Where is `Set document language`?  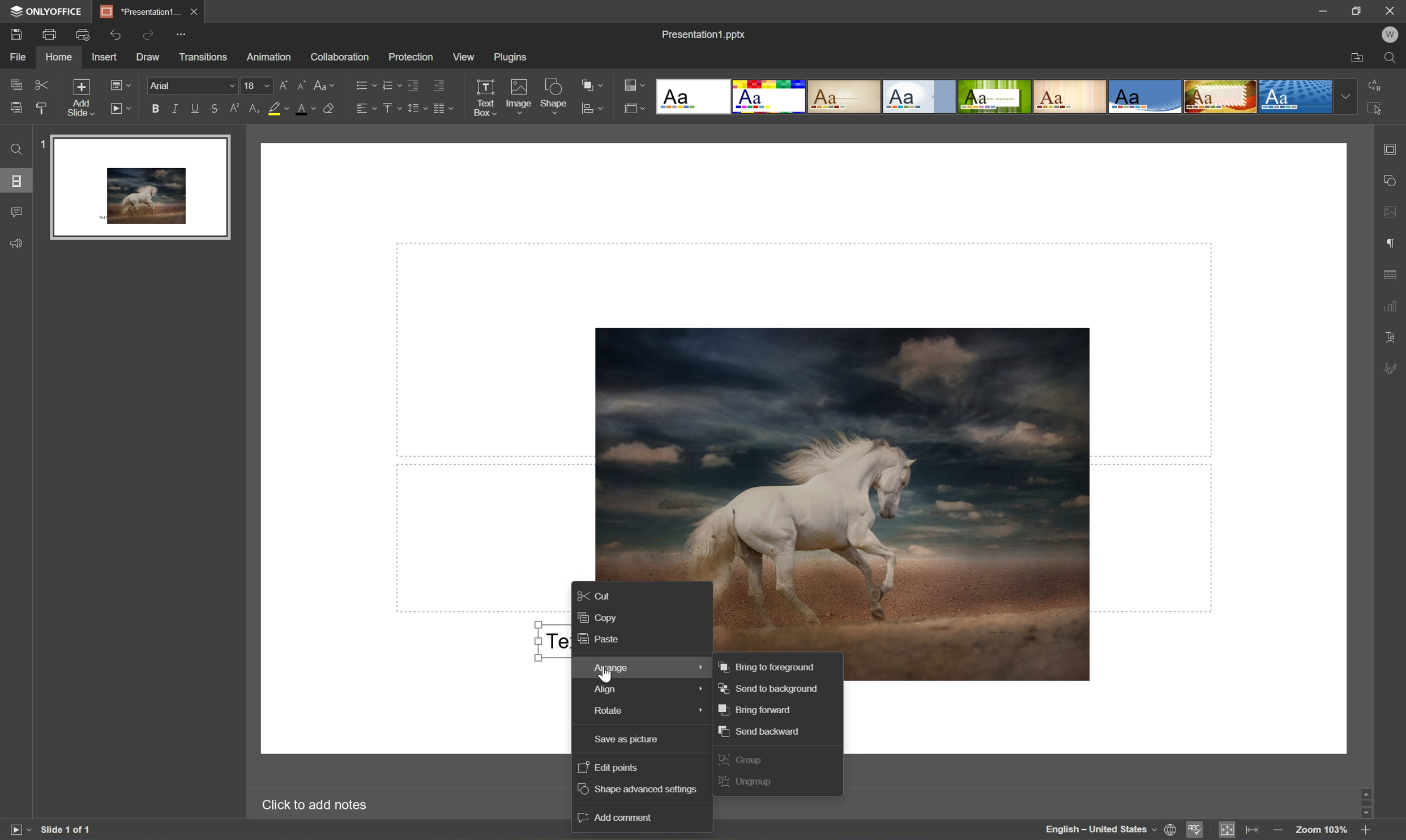 Set document language is located at coordinates (1172, 831).